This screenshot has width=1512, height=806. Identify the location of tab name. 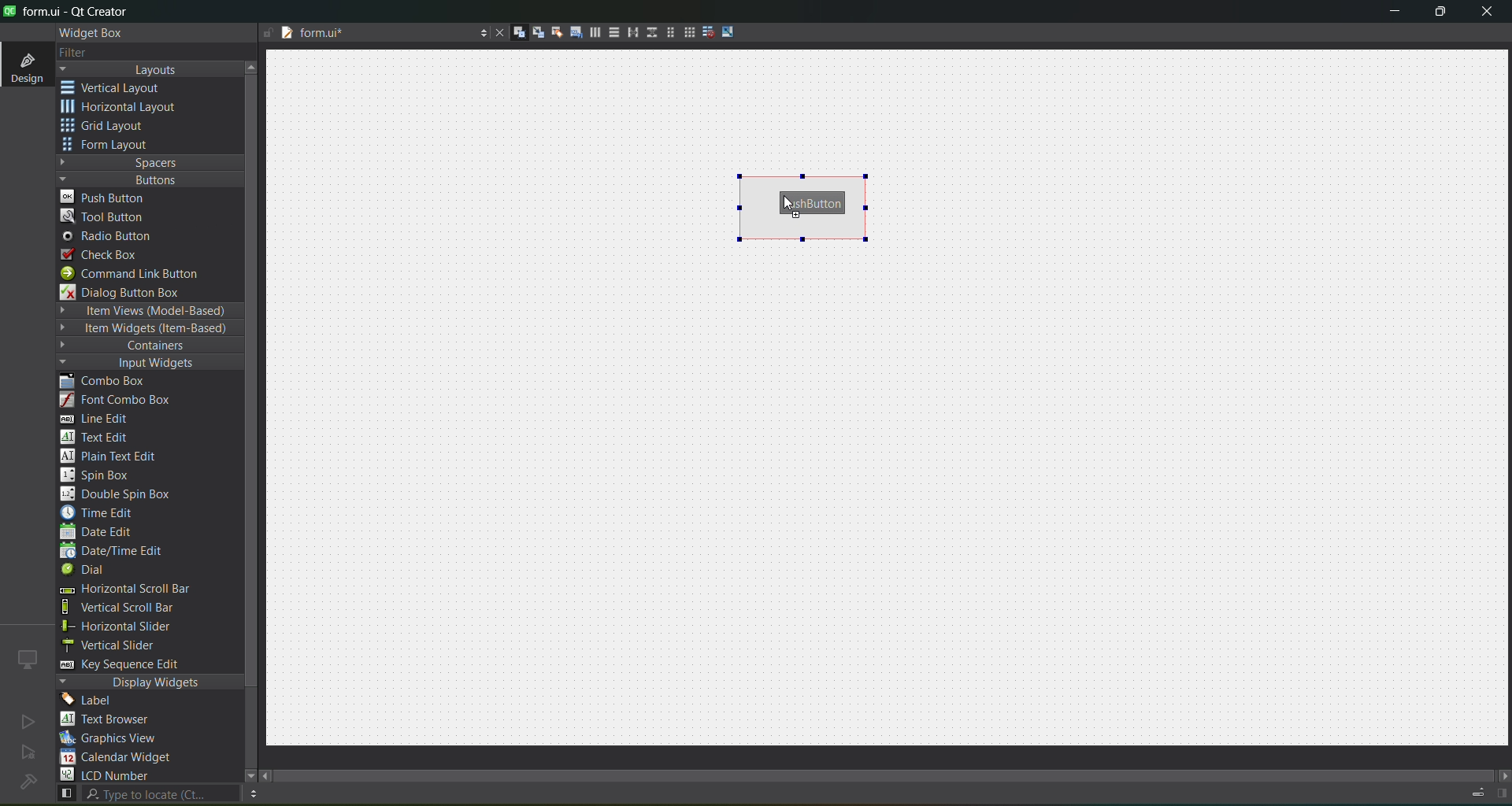
(373, 34).